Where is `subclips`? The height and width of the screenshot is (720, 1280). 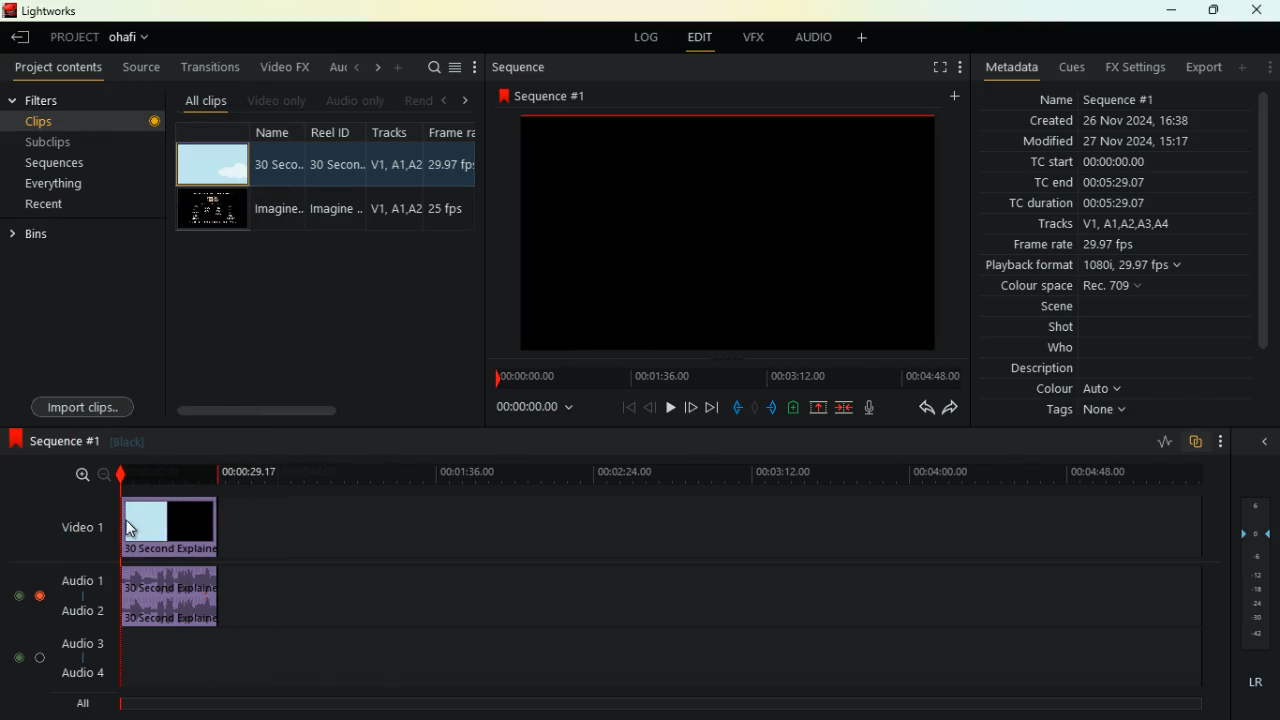
subclips is located at coordinates (60, 143).